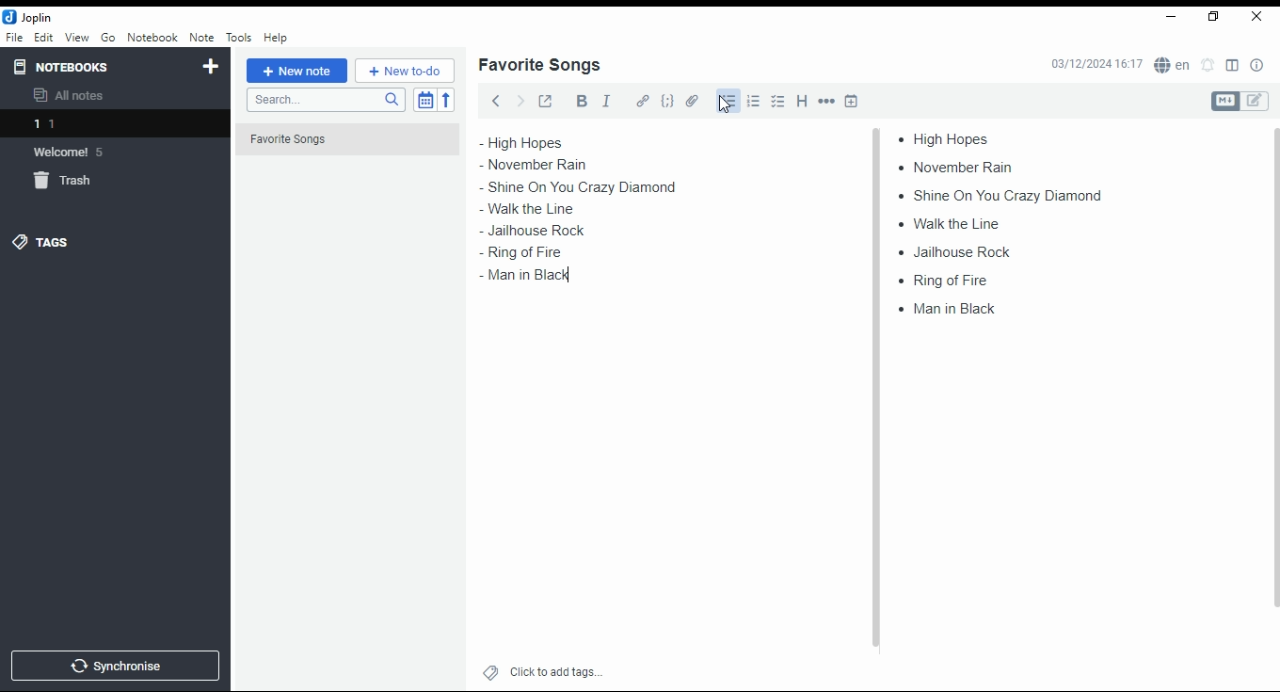  I want to click on november rain, so click(548, 165).